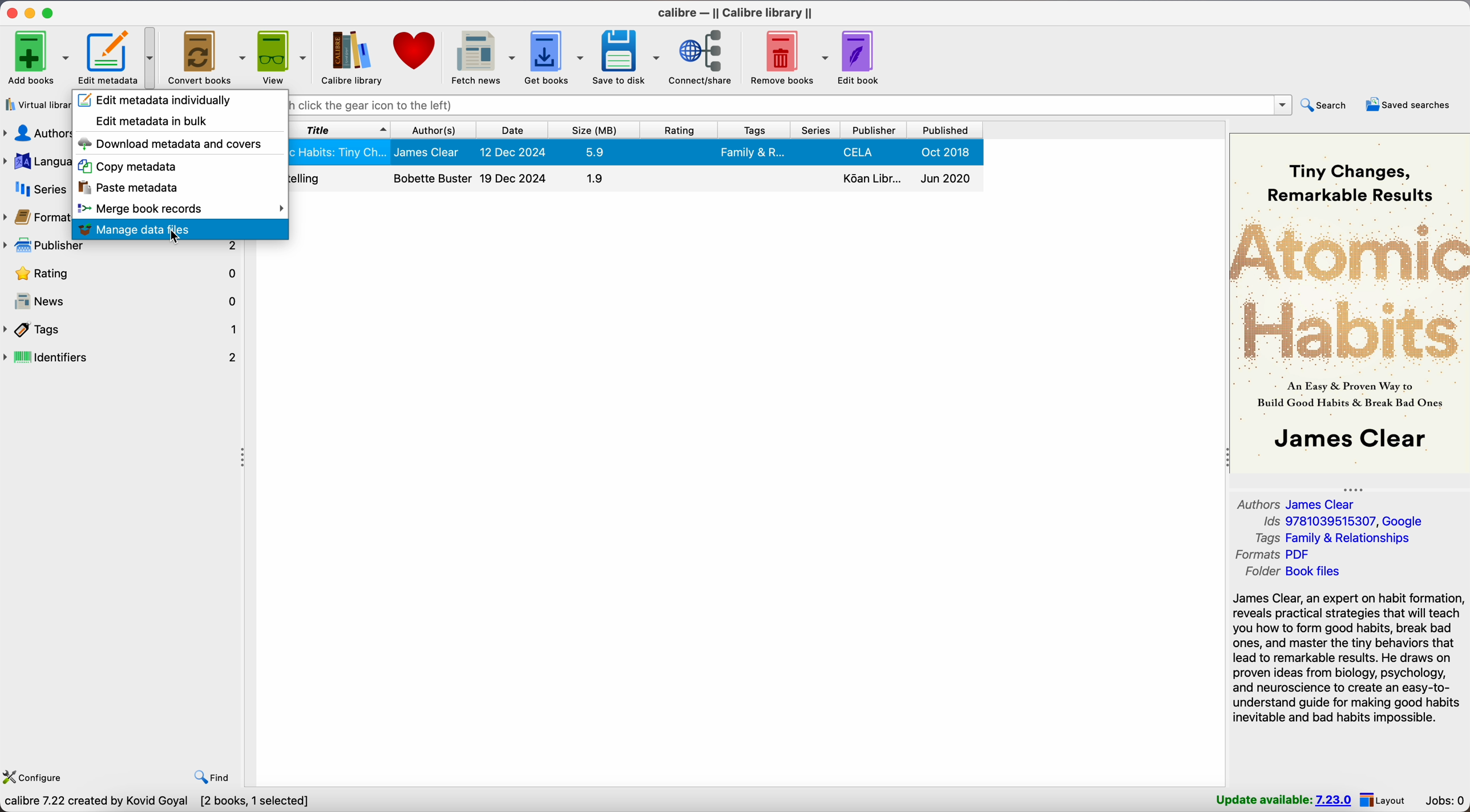 The width and height of the screenshot is (1470, 812). I want to click on tags, so click(122, 329).